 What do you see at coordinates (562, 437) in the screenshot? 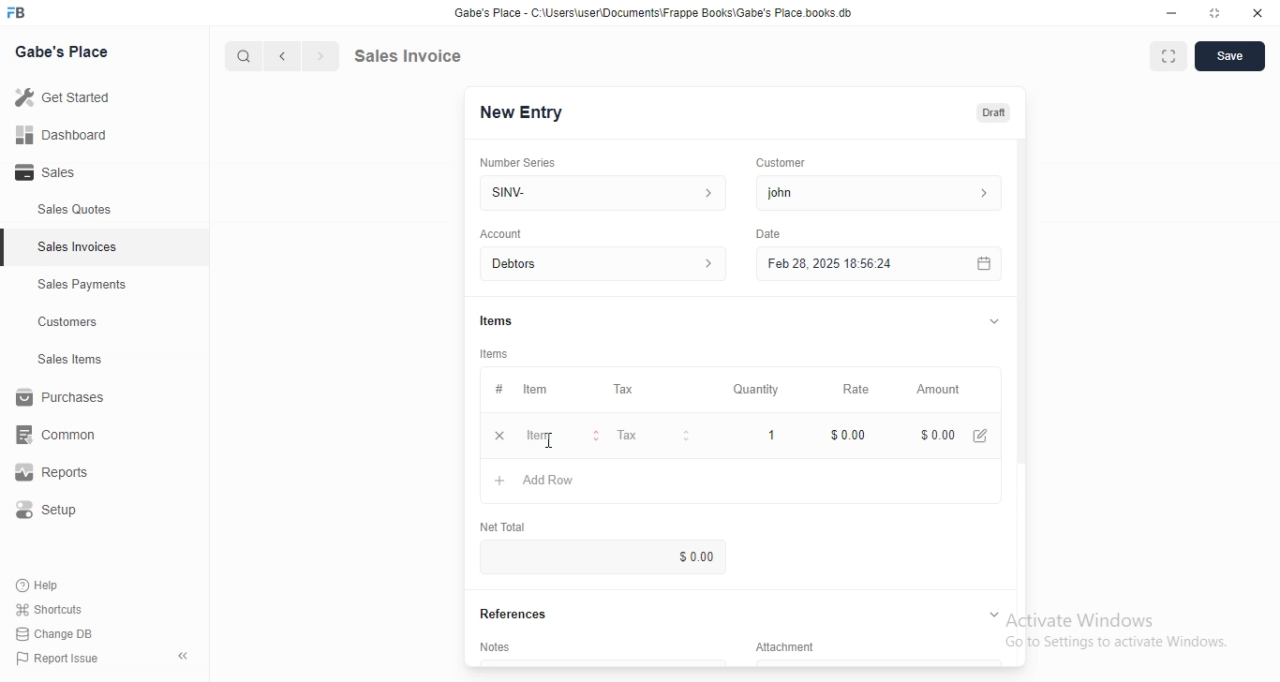
I see `Item` at bounding box center [562, 437].